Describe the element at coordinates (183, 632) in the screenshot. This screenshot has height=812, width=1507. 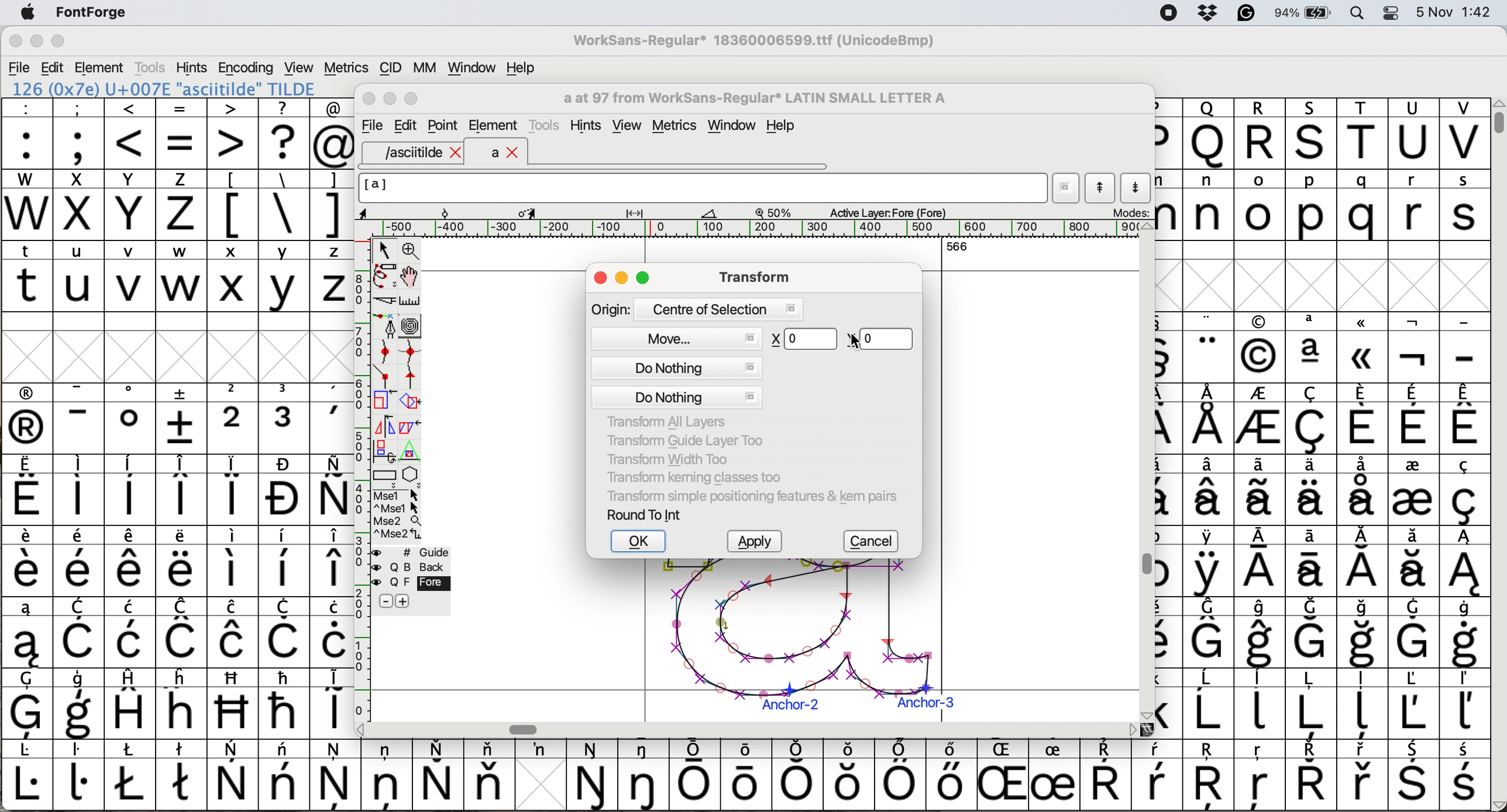
I see `symbol` at that location.